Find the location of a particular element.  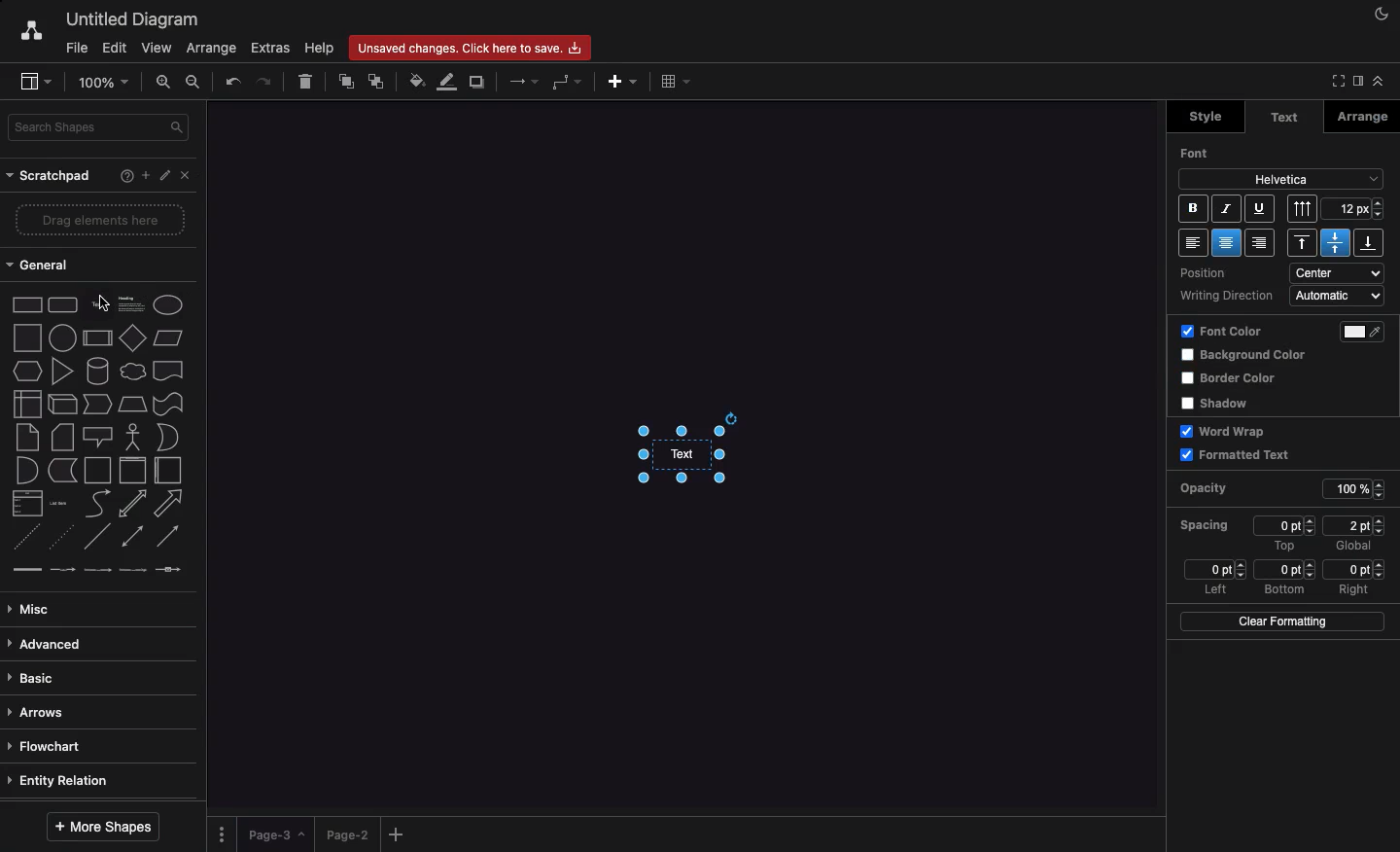

Style is located at coordinates (1203, 117).